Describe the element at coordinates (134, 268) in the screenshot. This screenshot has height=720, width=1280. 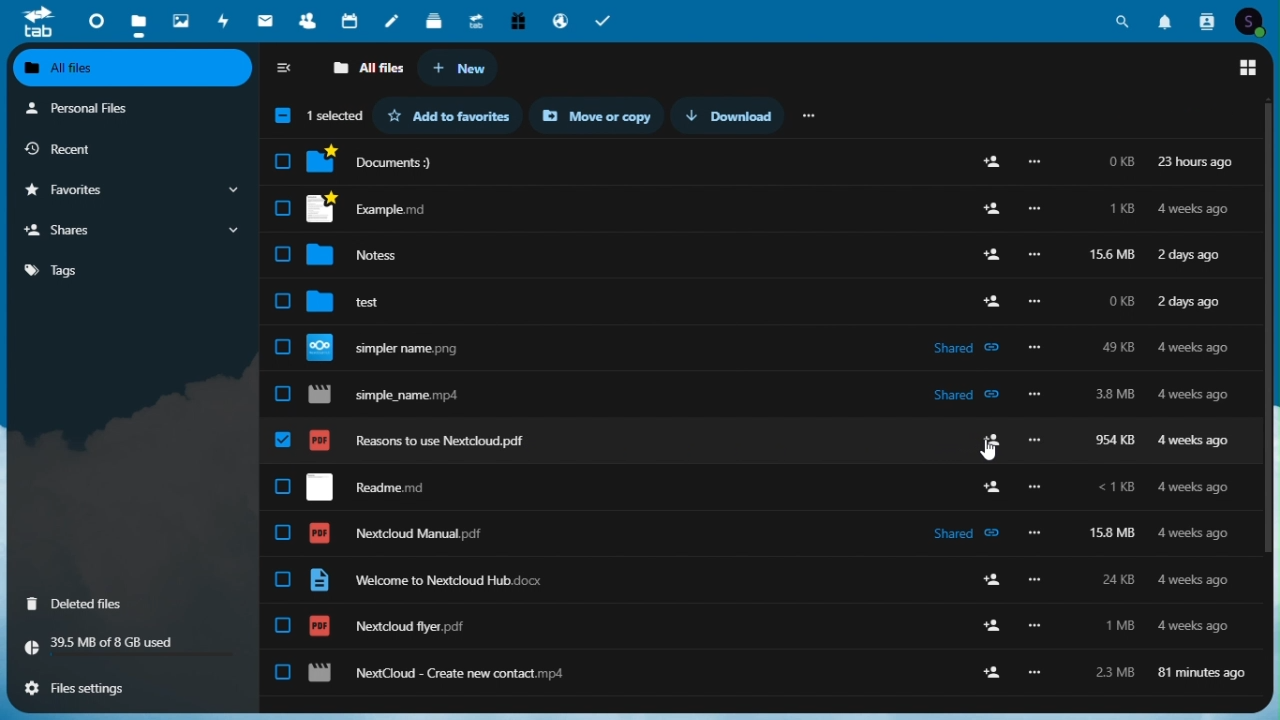
I see `tags` at that location.